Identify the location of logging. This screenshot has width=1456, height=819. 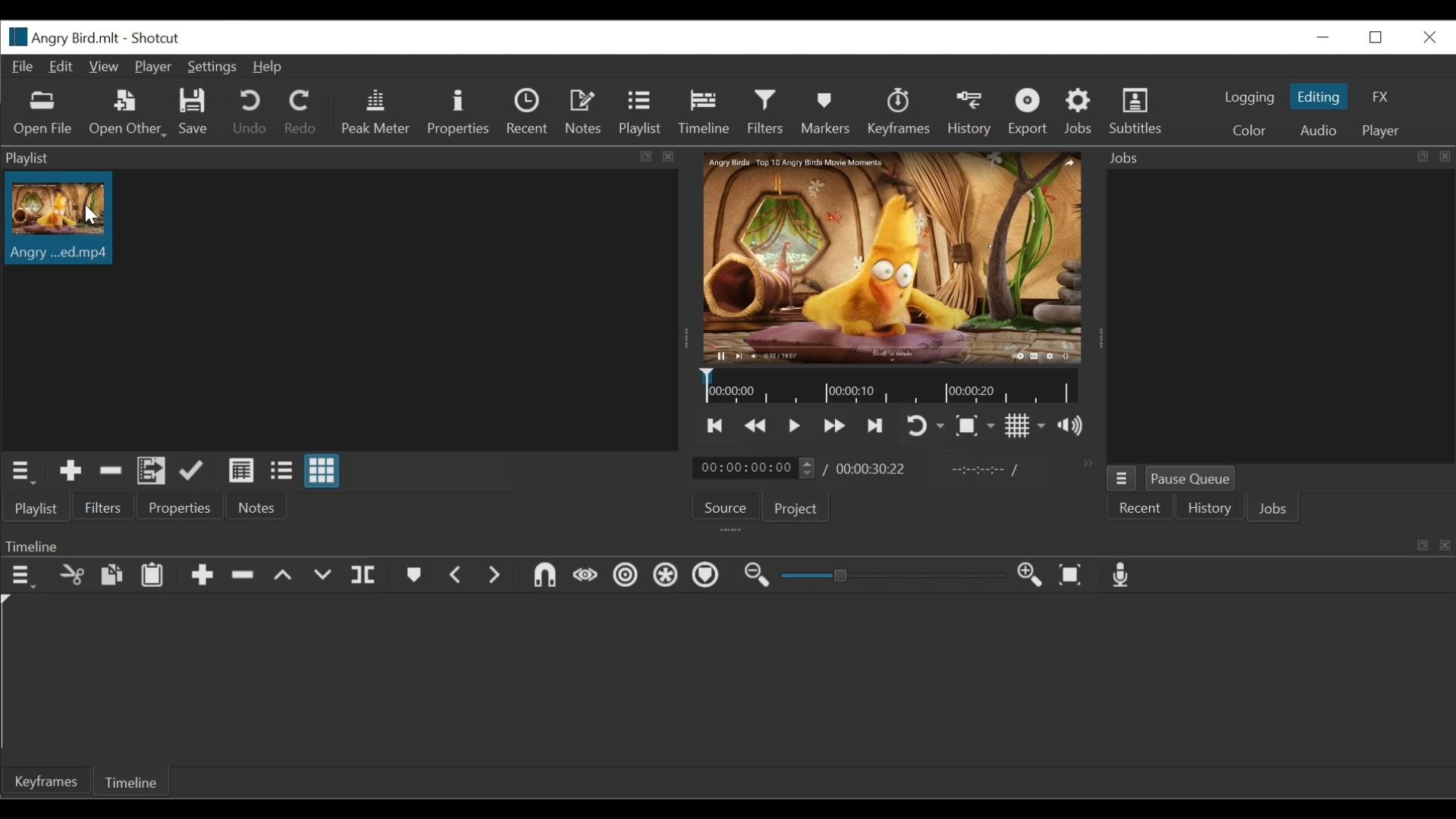
(1248, 99).